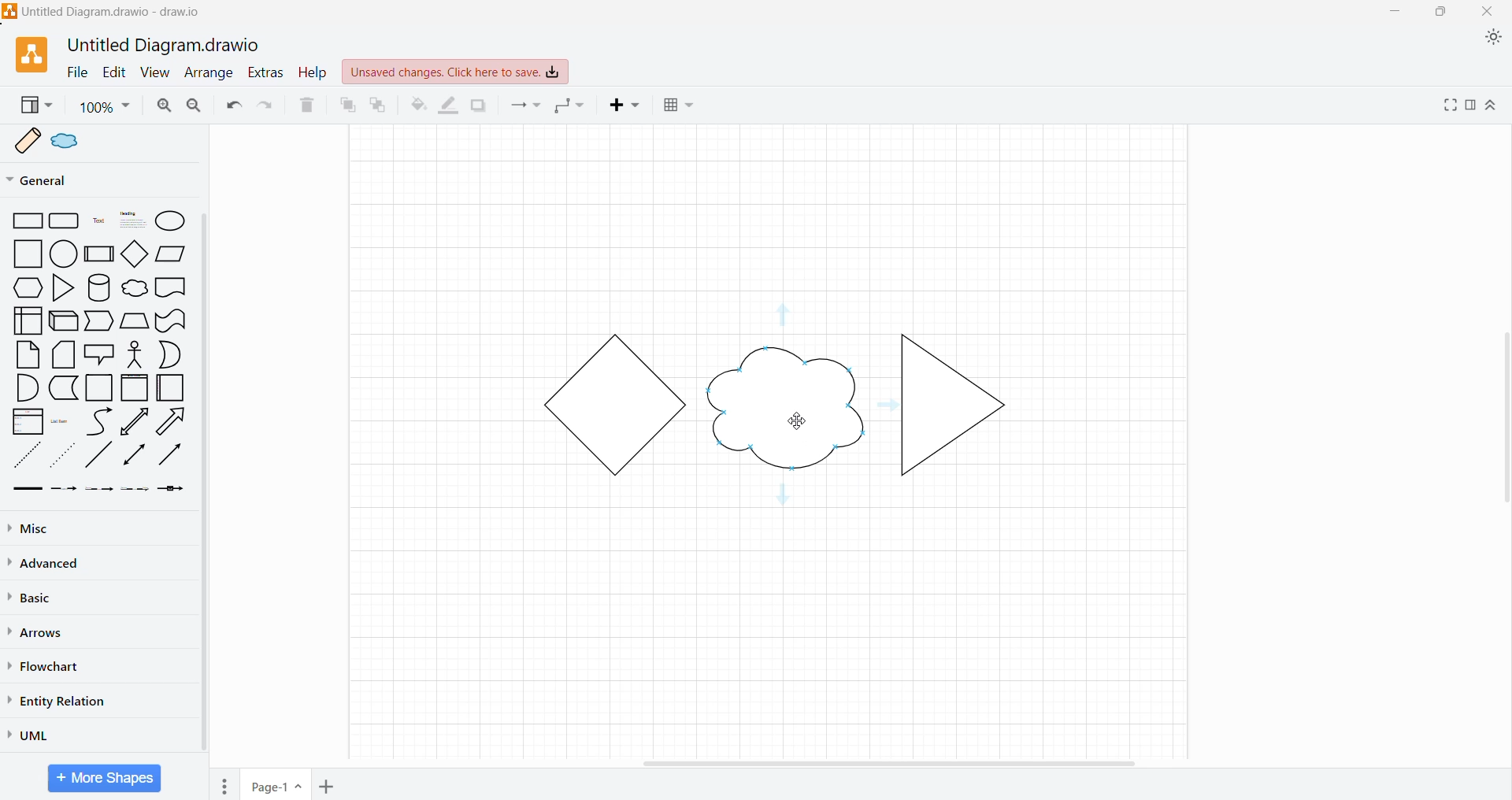 The image size is (1512, 800). Describe the element at coordinates (220, 783) in the screenshot. I see `Pages` at that location.